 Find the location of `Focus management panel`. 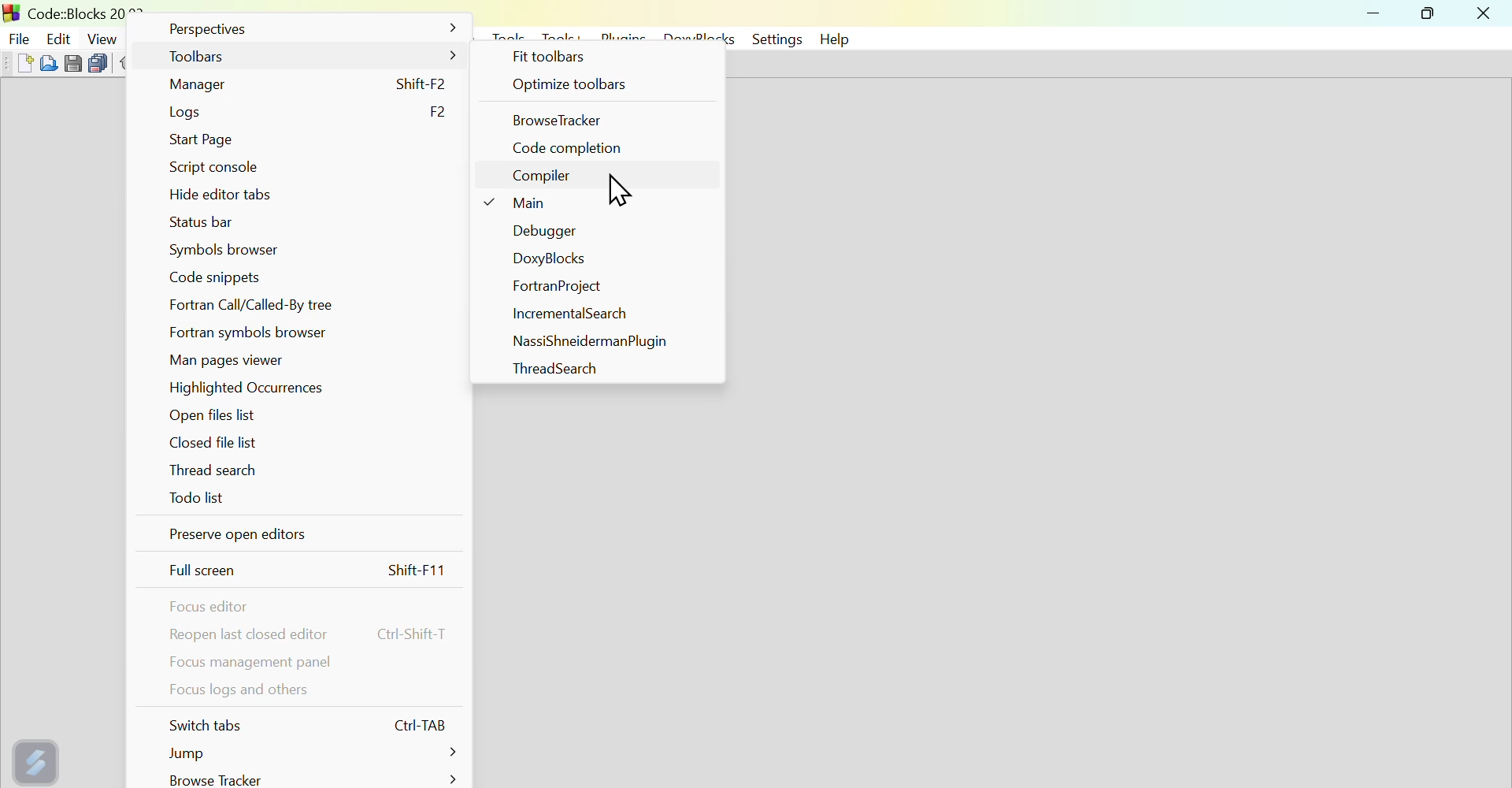

Focus management panel is located at coordinates (250, 663).